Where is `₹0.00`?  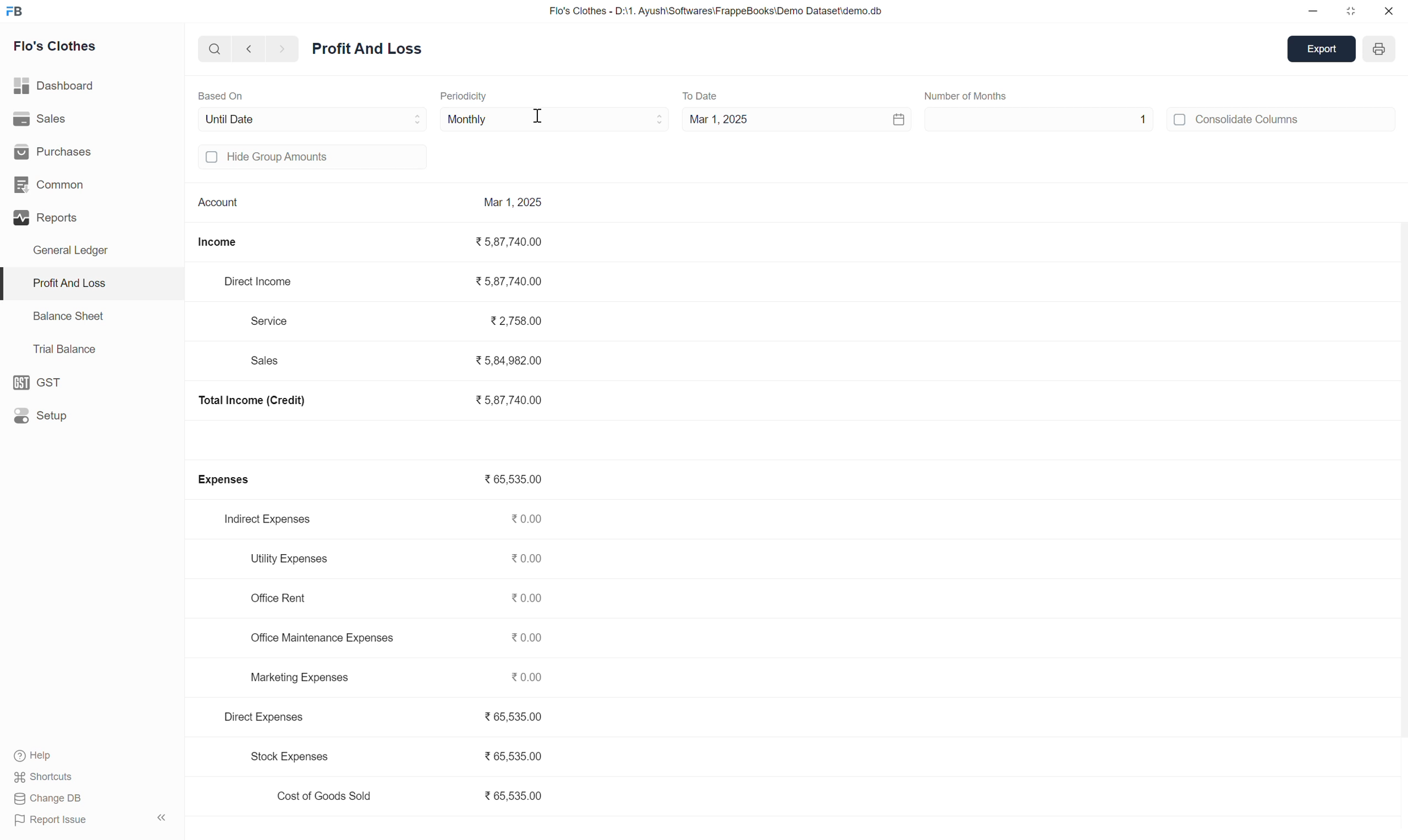 ₹0.00 is located at coordinates (528, 520).